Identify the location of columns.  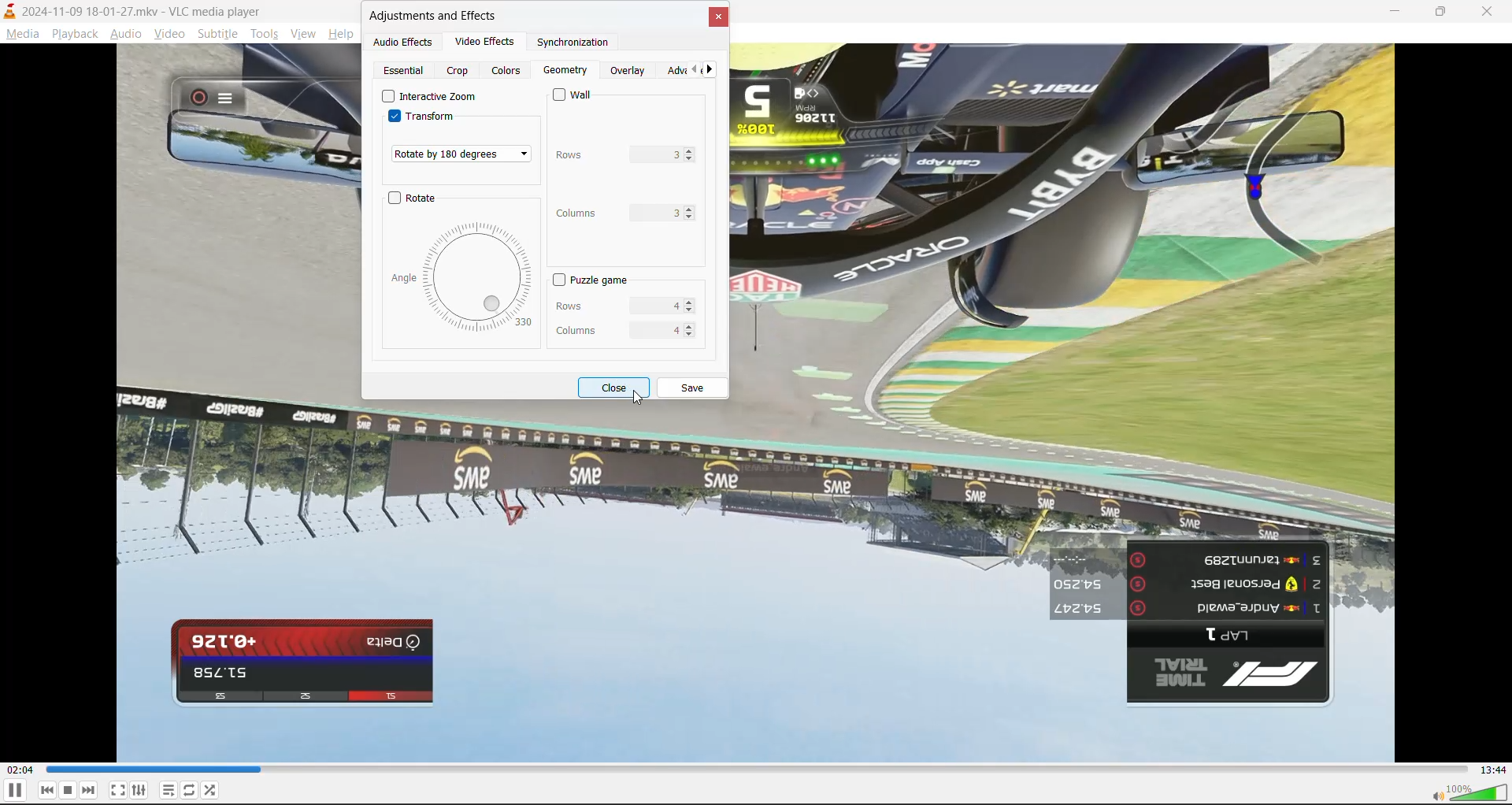
(613, 211).